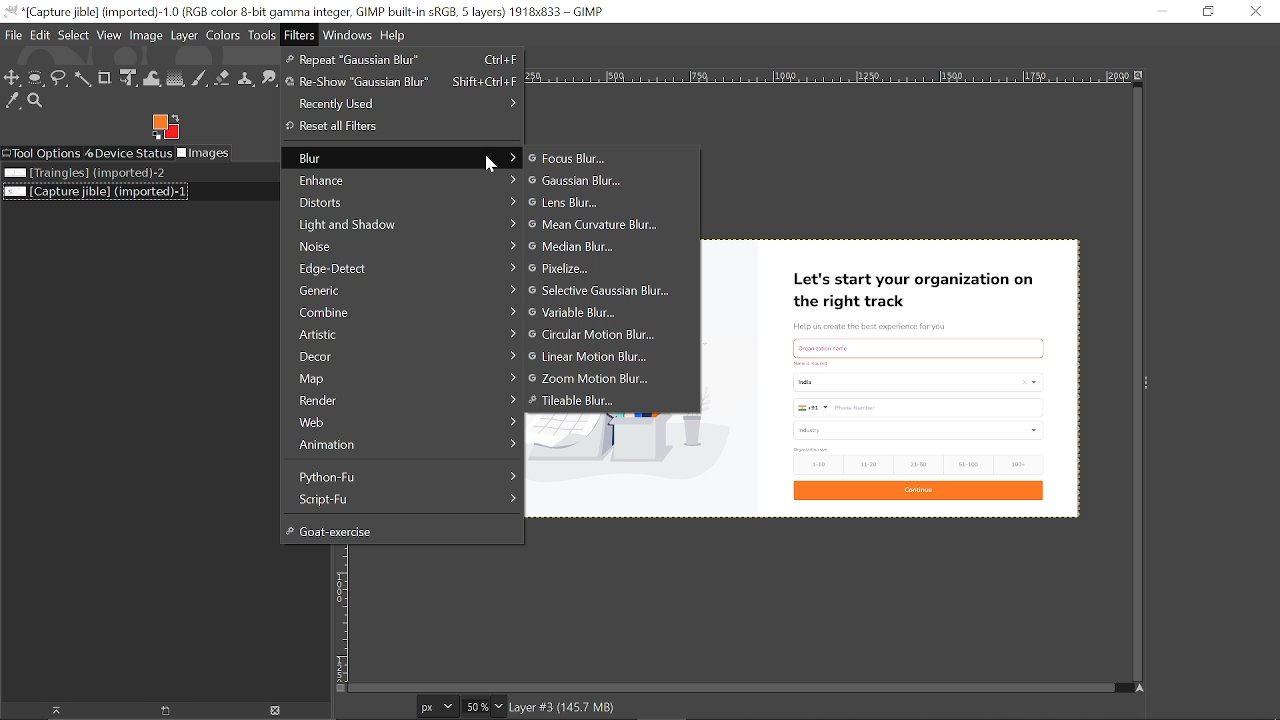 The width and height of the screenshot is (1280, 720). I want to click on Current image info, so click(563, 707).